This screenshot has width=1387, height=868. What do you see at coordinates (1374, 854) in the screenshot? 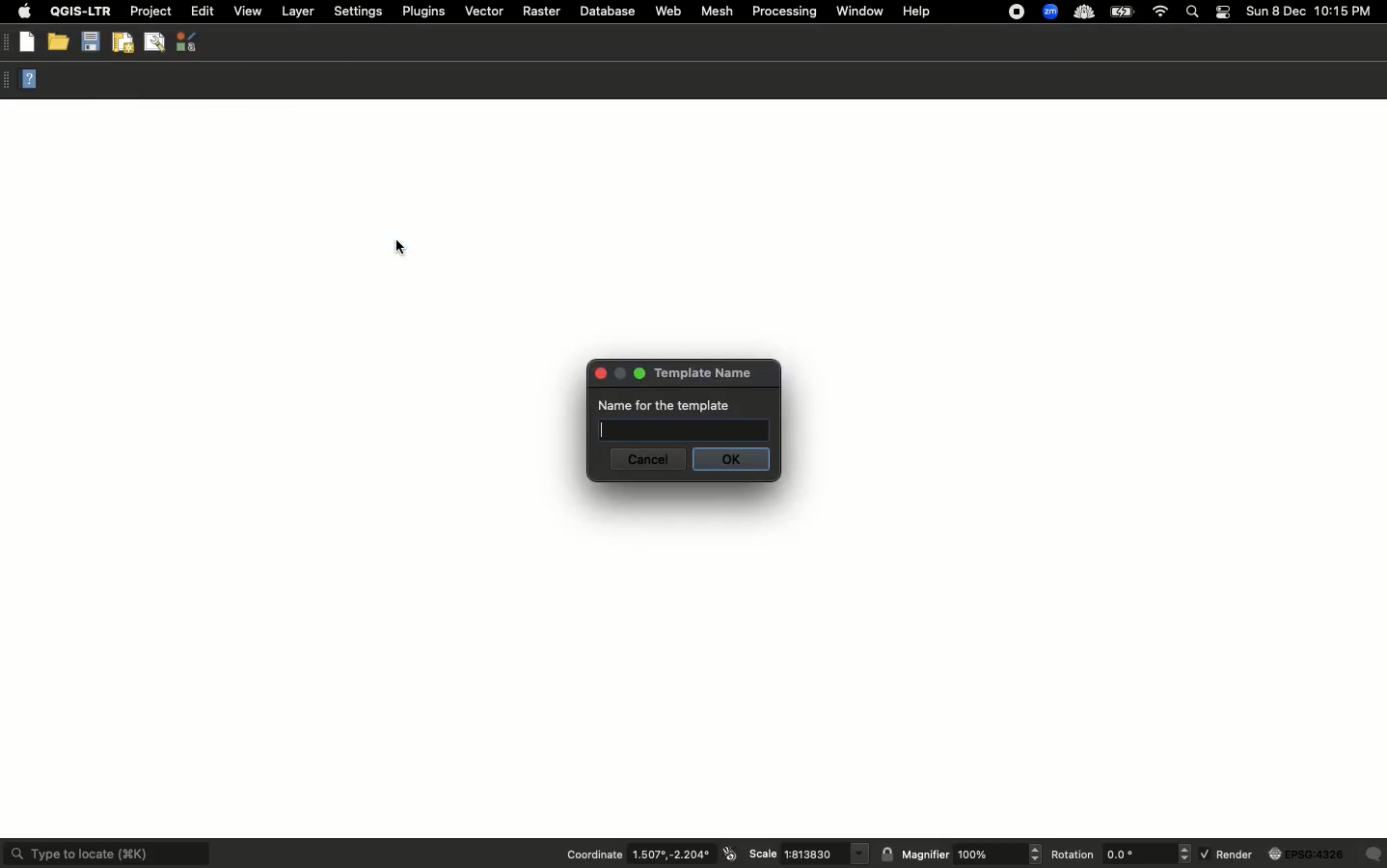
I see `` at bounding box center [1374, 854].